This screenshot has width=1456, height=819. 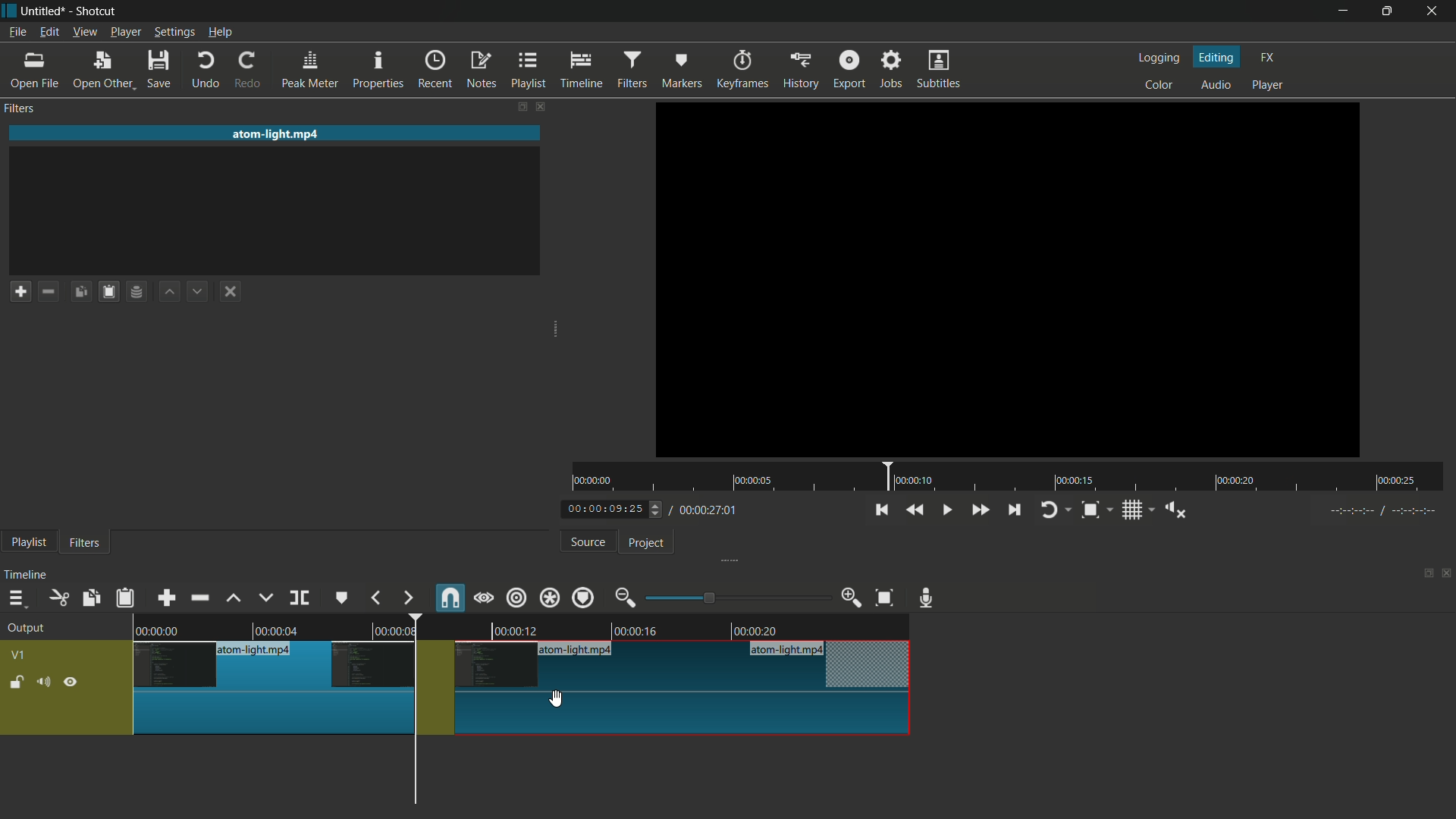 What do you see at coordinates (251, 71) in the screenshot?
I see `redo` at bounding box center [251, 71].